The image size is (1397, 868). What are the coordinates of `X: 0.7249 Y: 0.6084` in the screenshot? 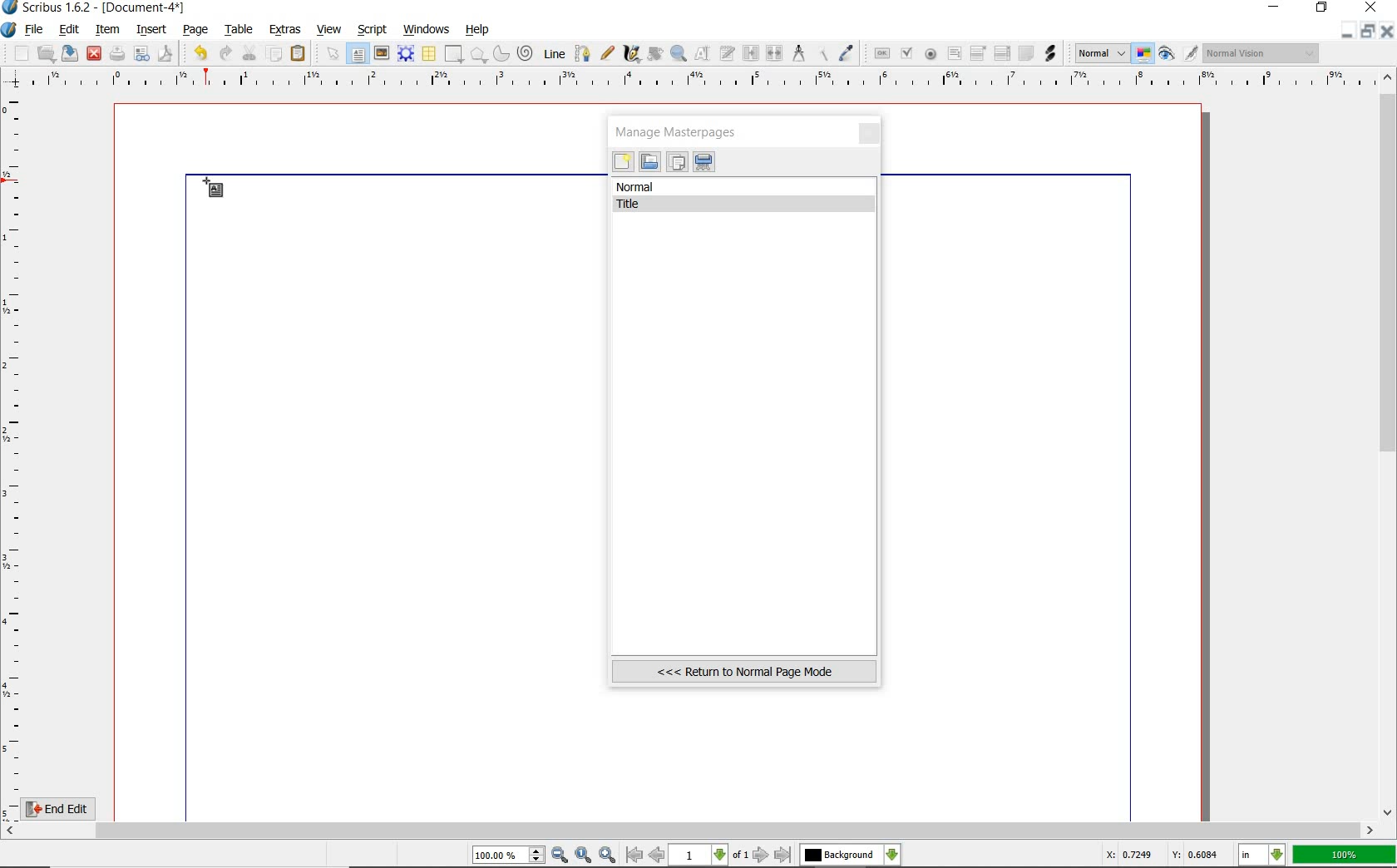 It's located at (1163, 856).